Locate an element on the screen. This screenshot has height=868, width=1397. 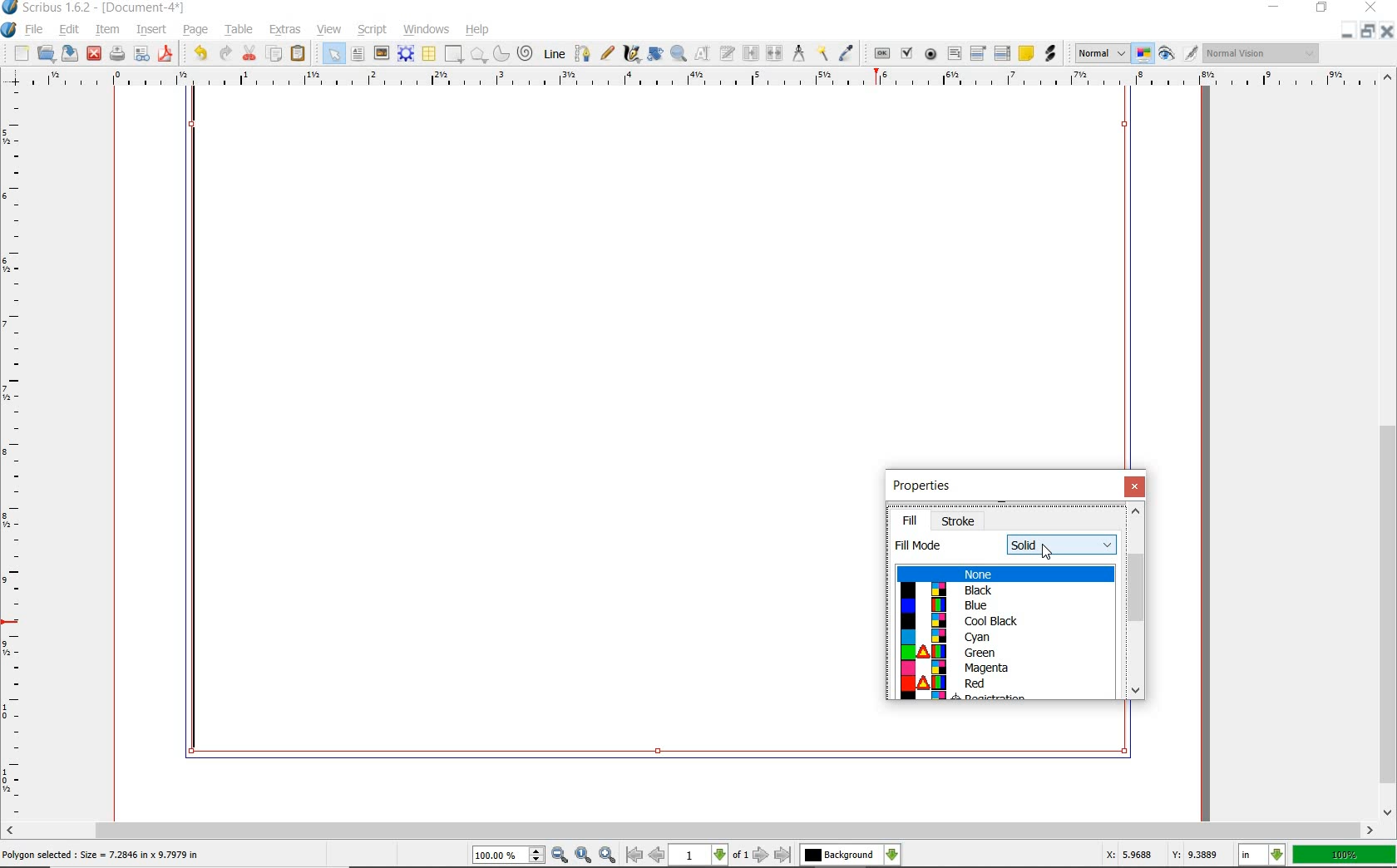
scrollbar is located at coordinates (690, 830).